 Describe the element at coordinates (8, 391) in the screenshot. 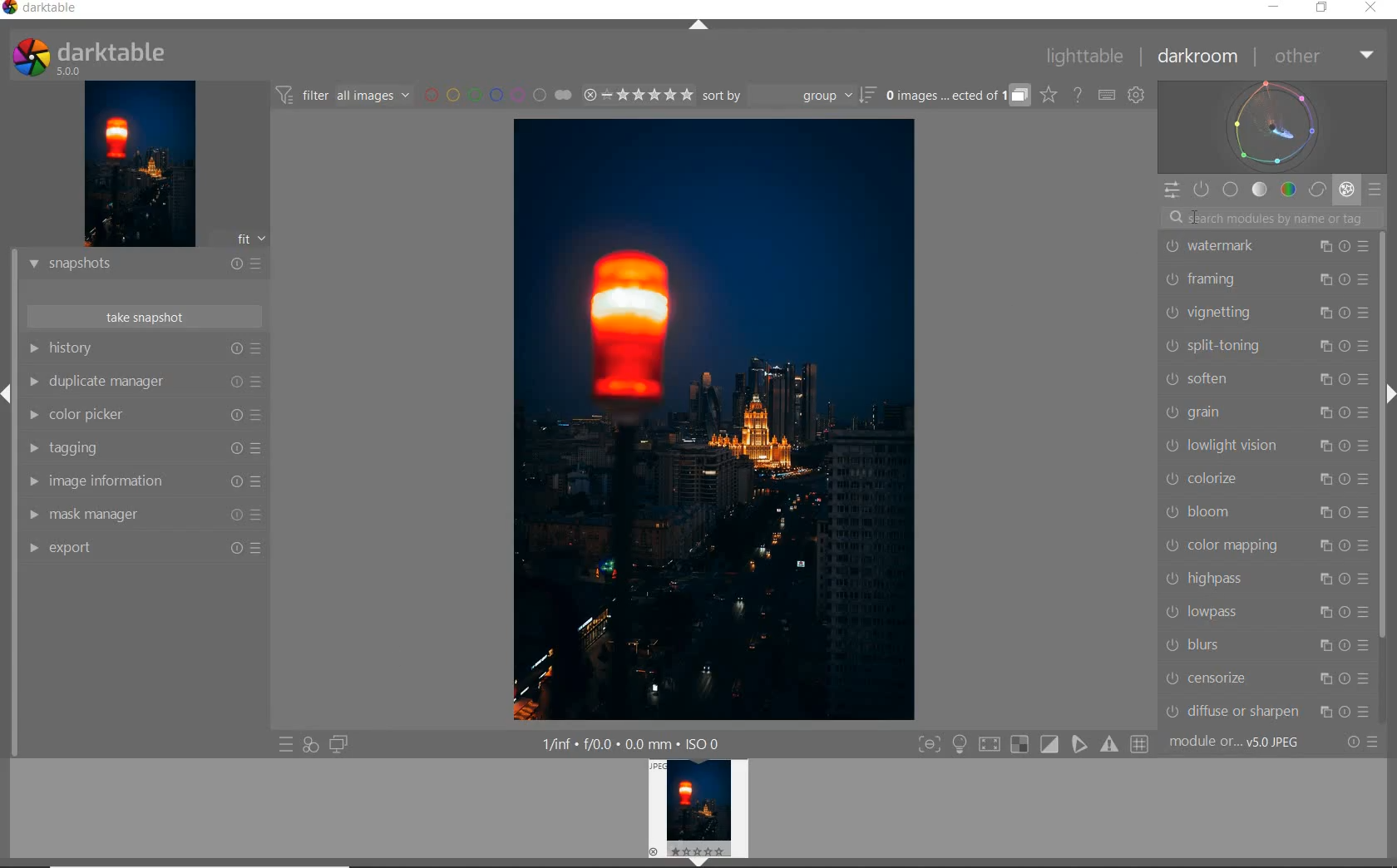

I see `EXPAND/COLLAPSE` at that location.